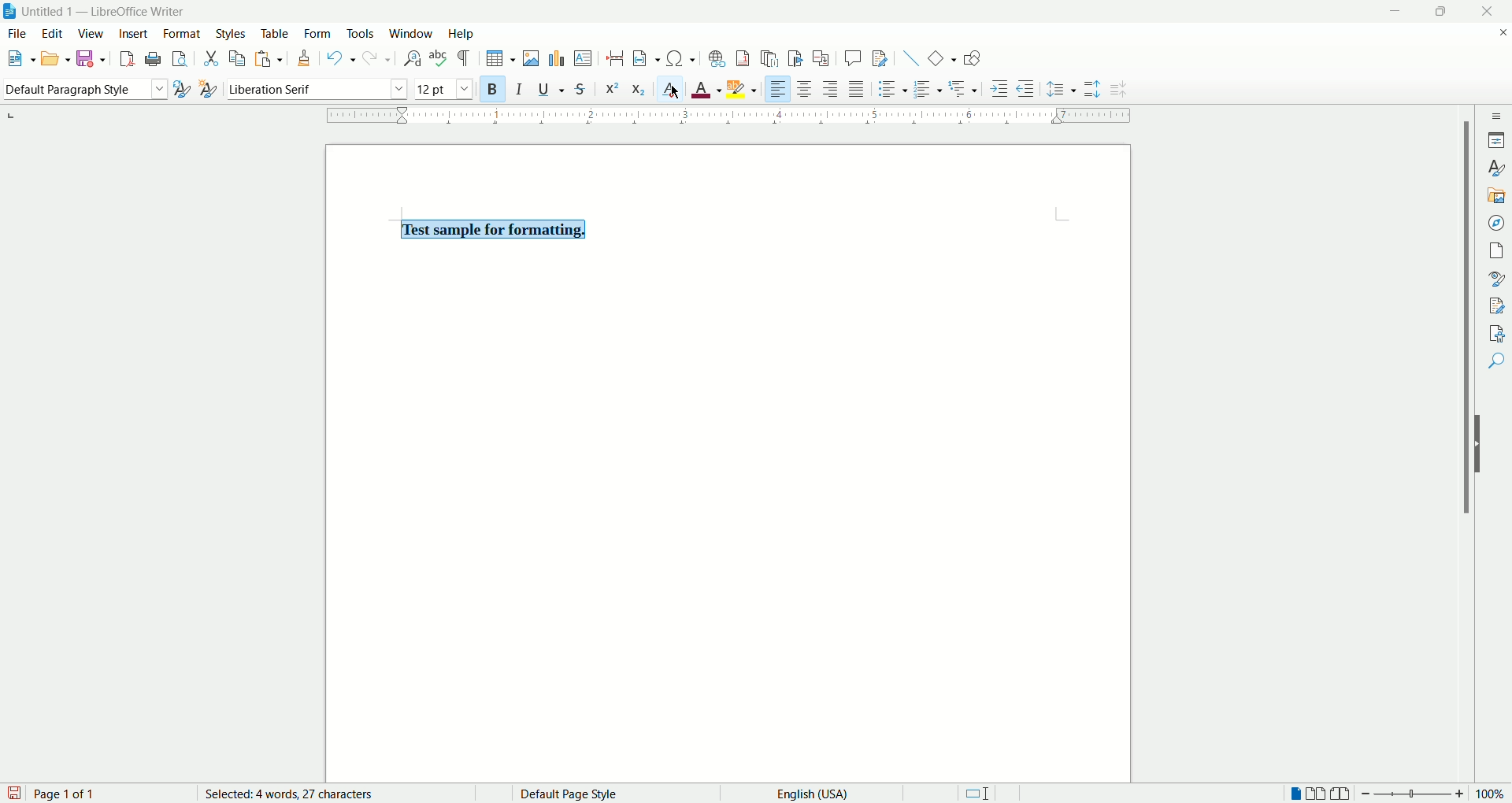 The image size is (1512, 803). I want to click on draw function, so click(974, 58).